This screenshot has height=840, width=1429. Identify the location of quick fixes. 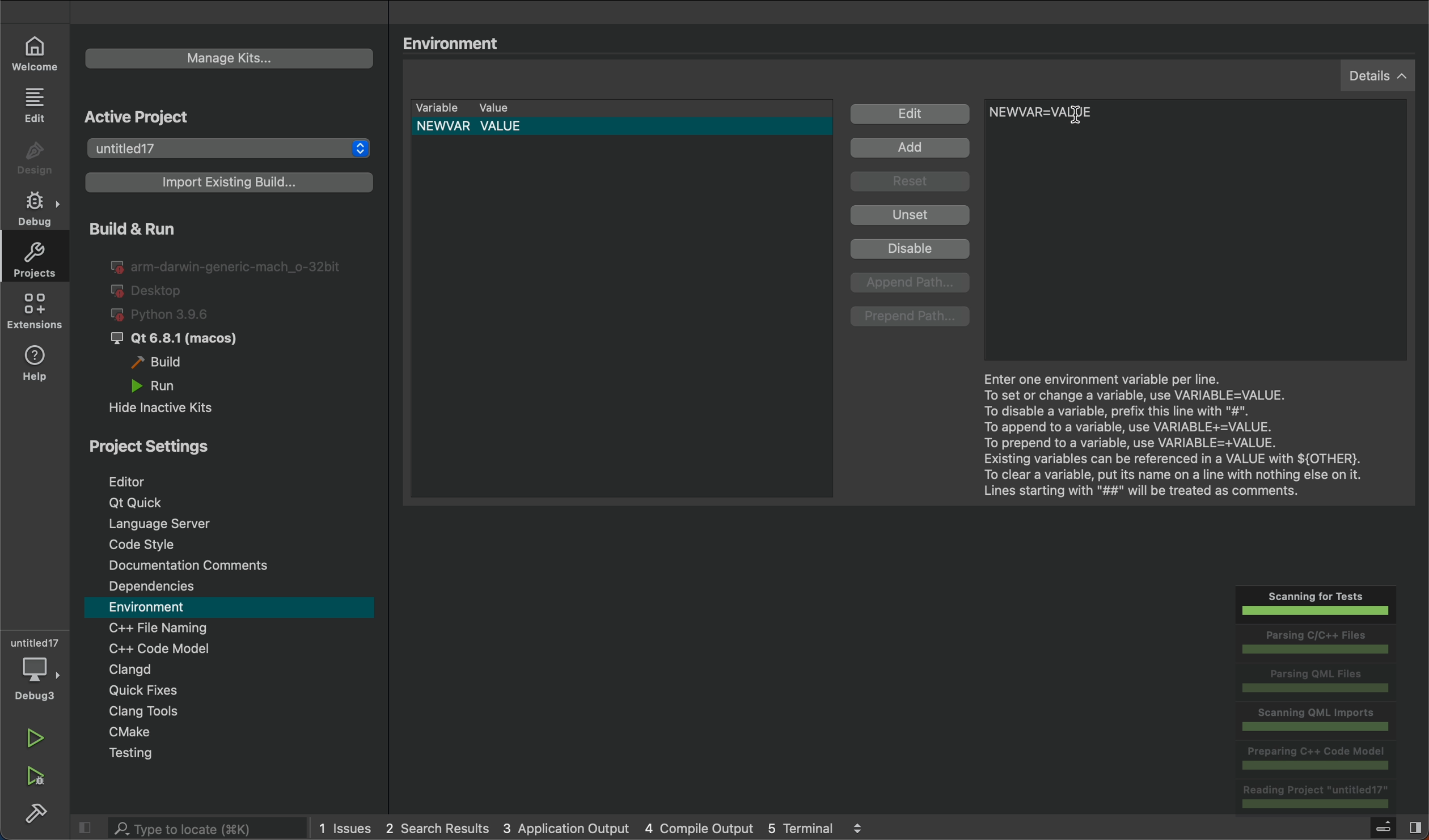
(231, 691).